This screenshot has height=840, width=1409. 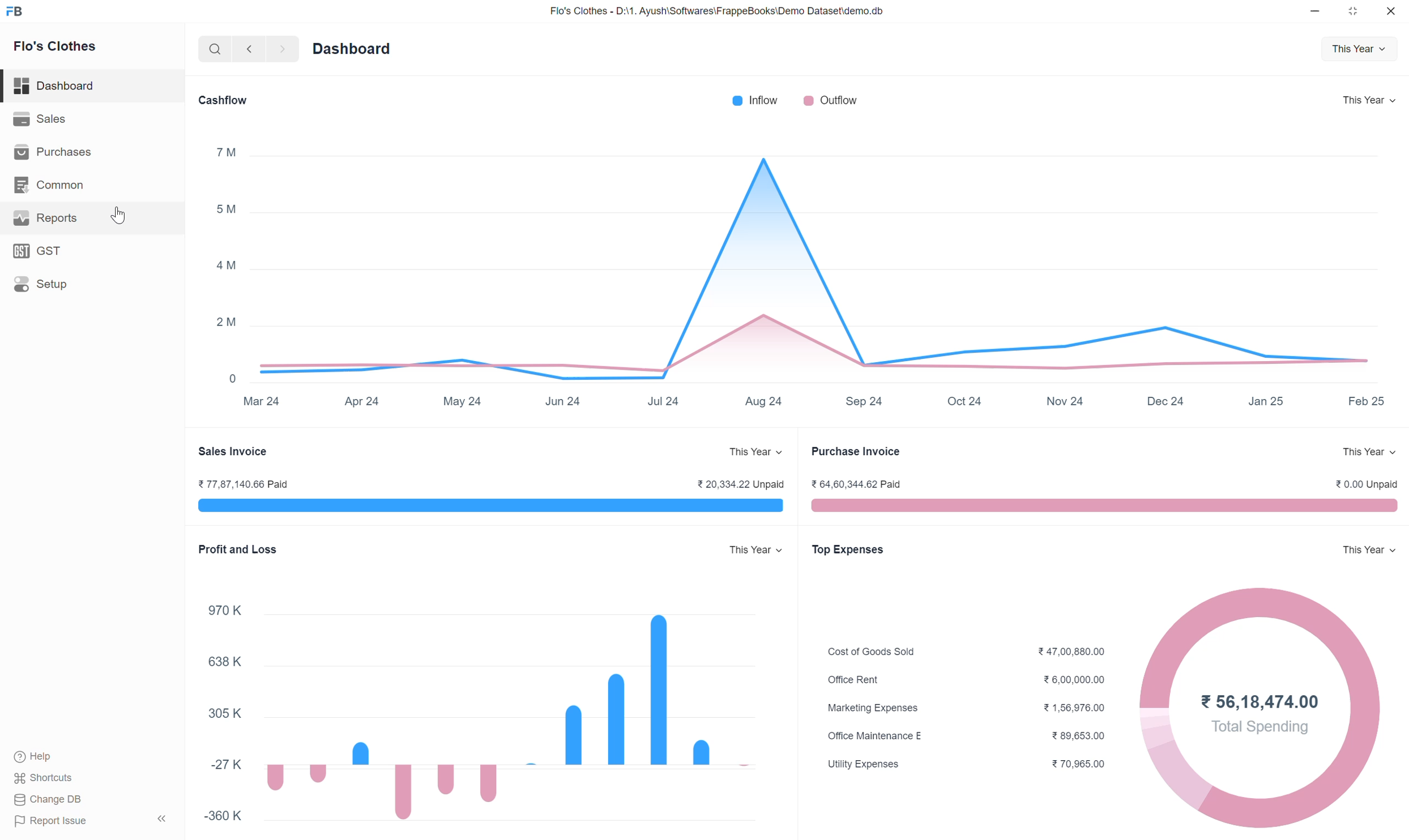 I want to click on jul 24, so click(x=660, y=400).